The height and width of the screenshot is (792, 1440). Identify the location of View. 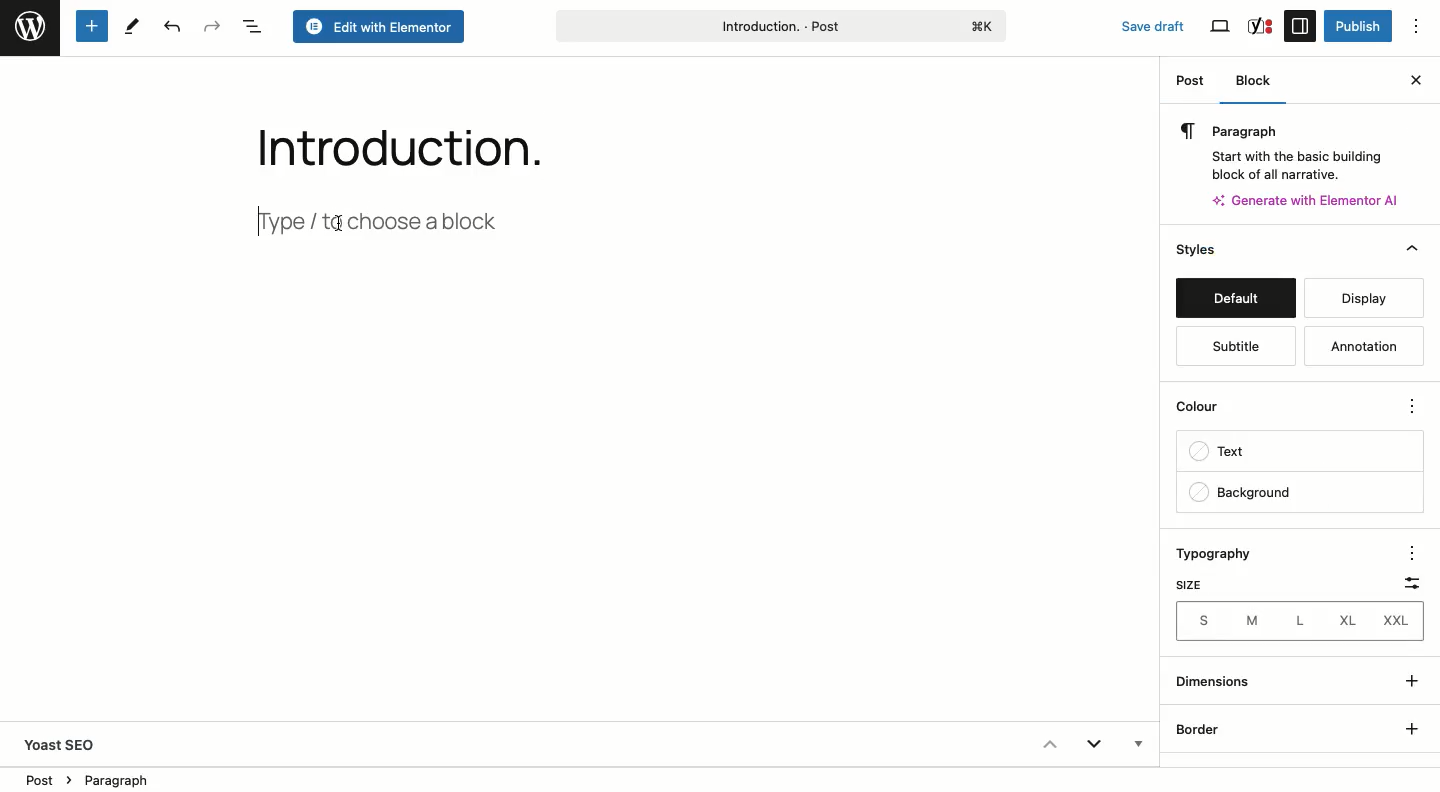
(1222, 27).